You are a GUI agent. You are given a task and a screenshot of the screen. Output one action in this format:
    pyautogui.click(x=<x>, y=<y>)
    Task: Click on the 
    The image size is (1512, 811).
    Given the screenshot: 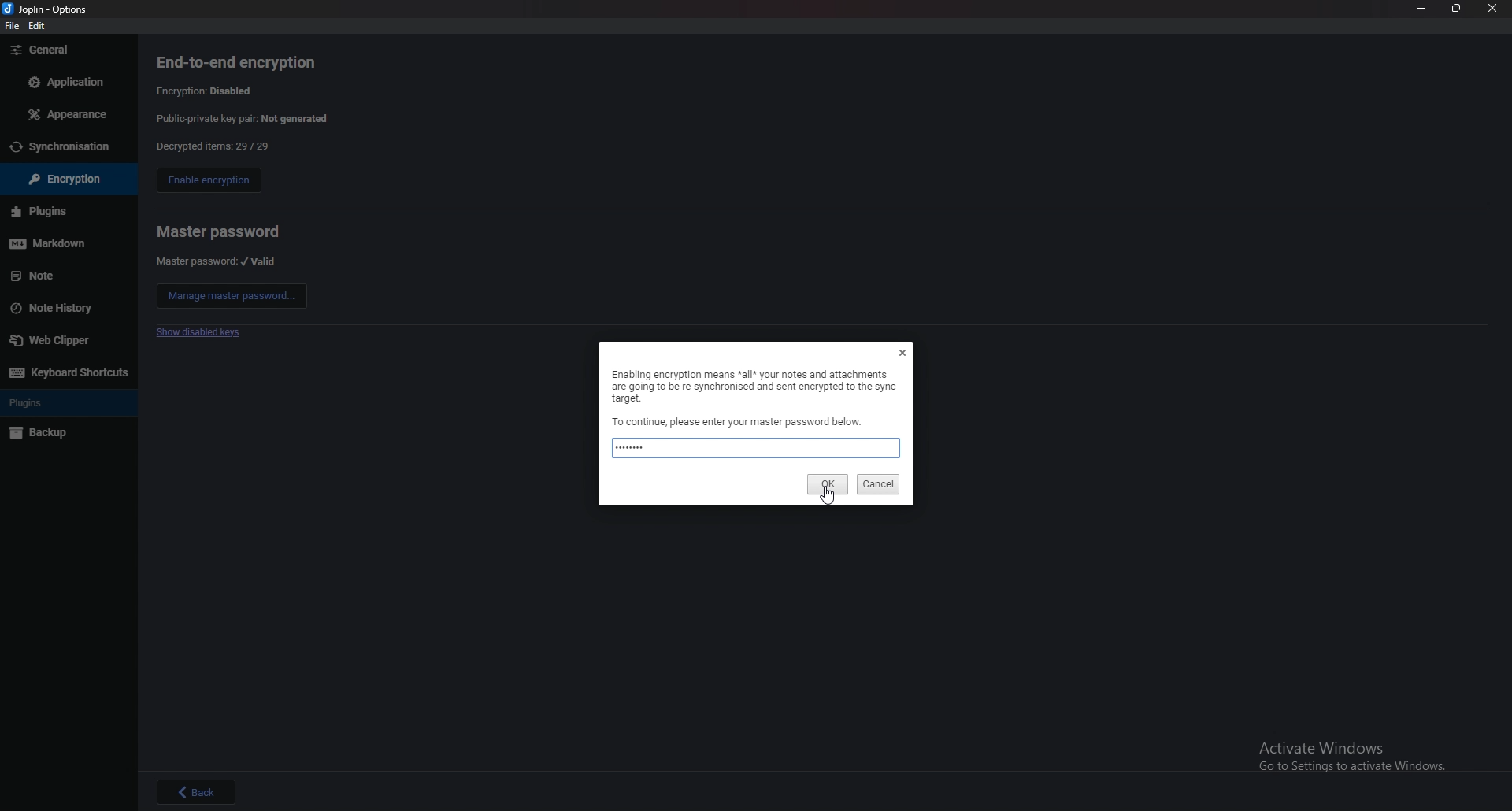 What is the action you would take?
    pyautogui.click(x=55, y=343)
    